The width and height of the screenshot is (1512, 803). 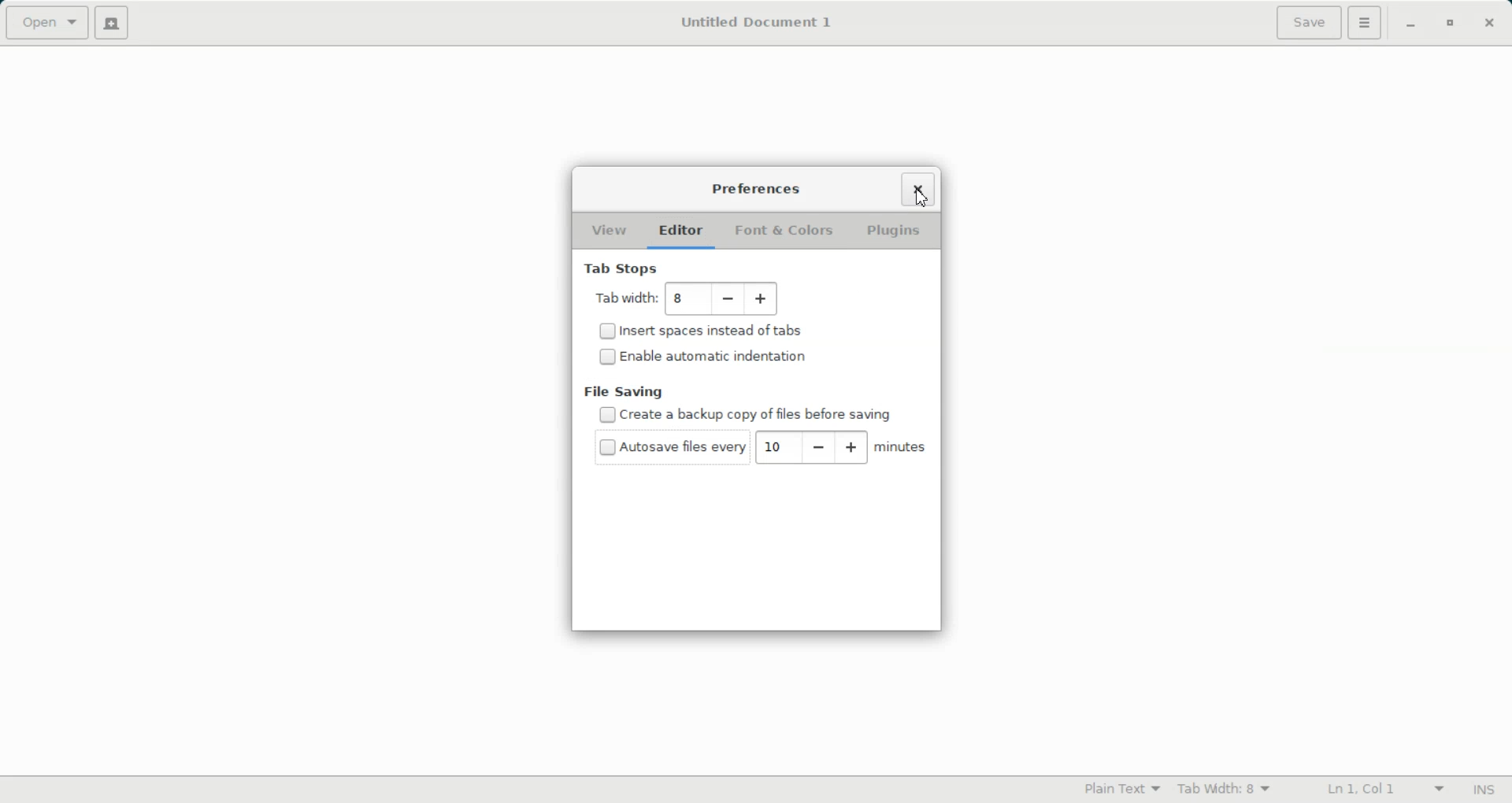 I want to click on (un)check Insert spaces instead of tabs, so click(x=702, y=332).